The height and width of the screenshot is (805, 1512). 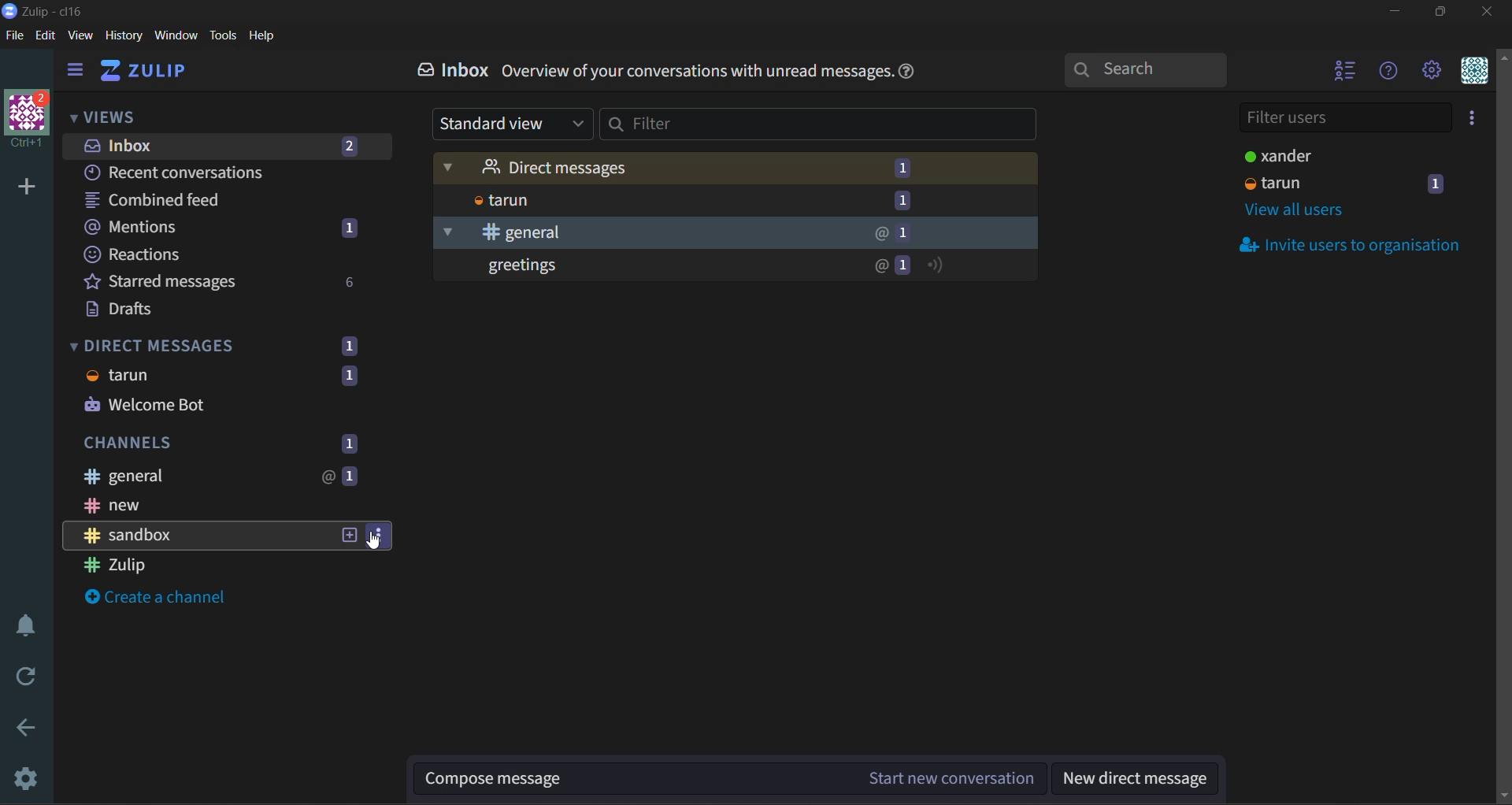 I want to click on starred messages, so click(x=221, y=280).